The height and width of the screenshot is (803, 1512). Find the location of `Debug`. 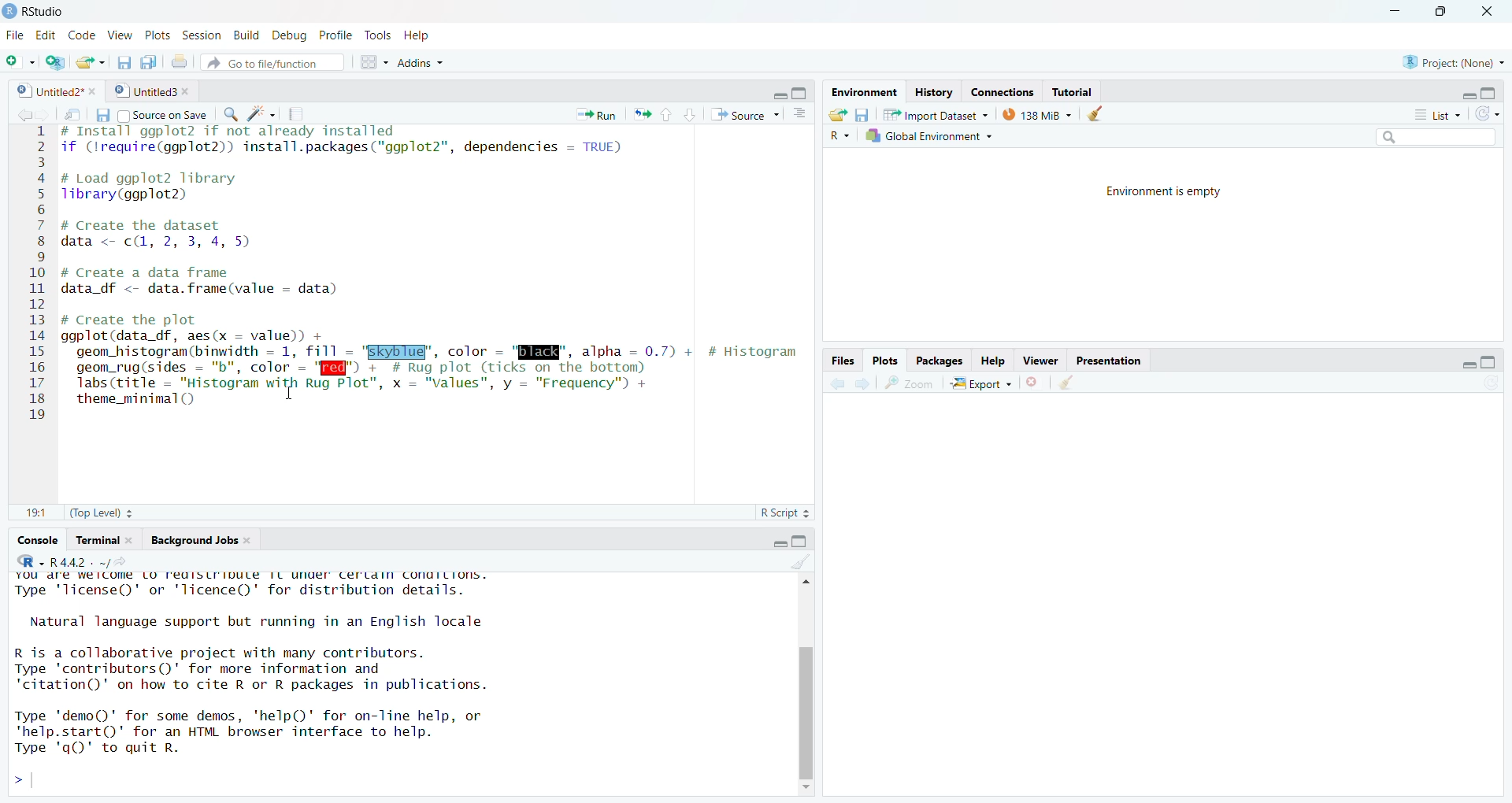

Debug is located at coordinates (291, 34).